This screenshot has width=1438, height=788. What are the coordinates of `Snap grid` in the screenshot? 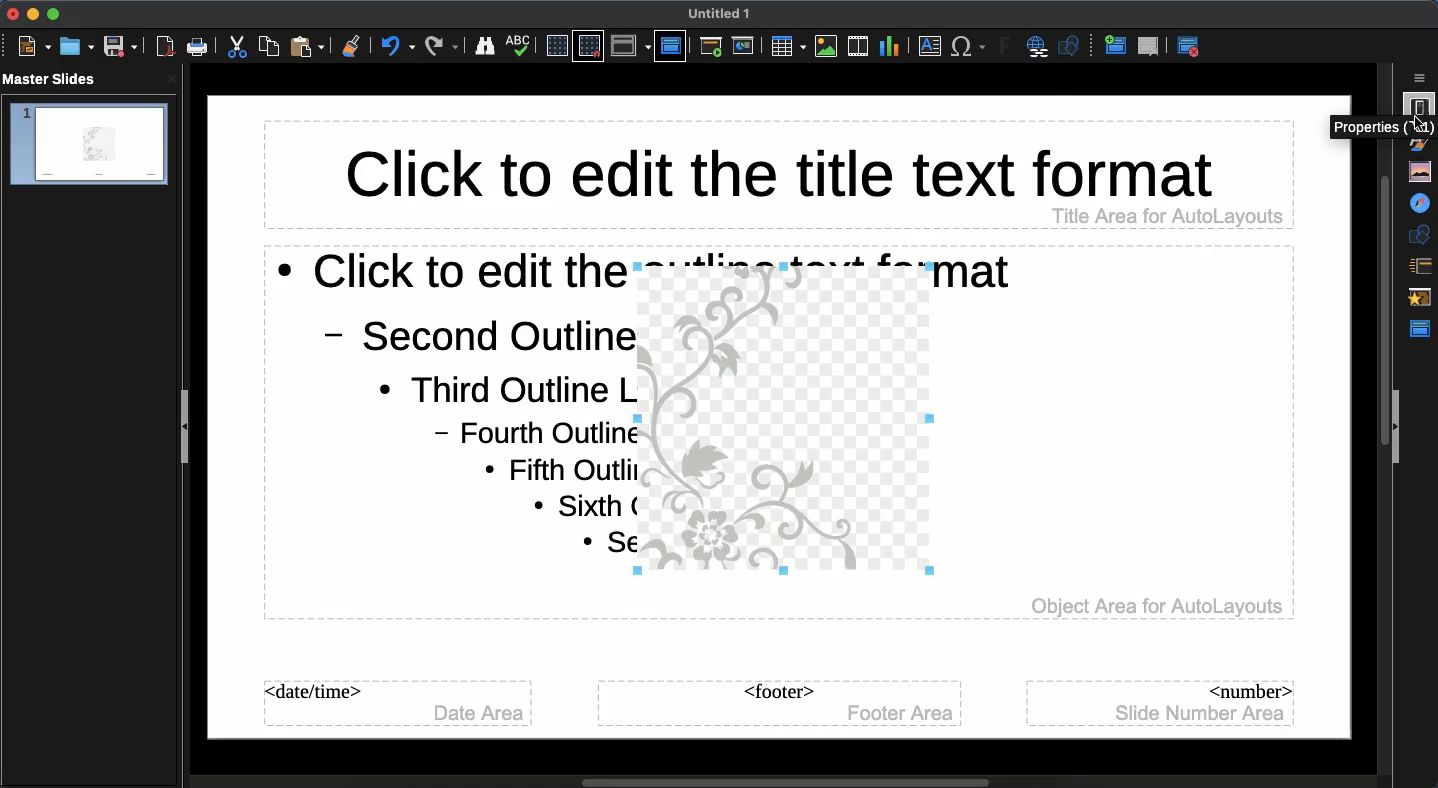 It's located at (588, 47).